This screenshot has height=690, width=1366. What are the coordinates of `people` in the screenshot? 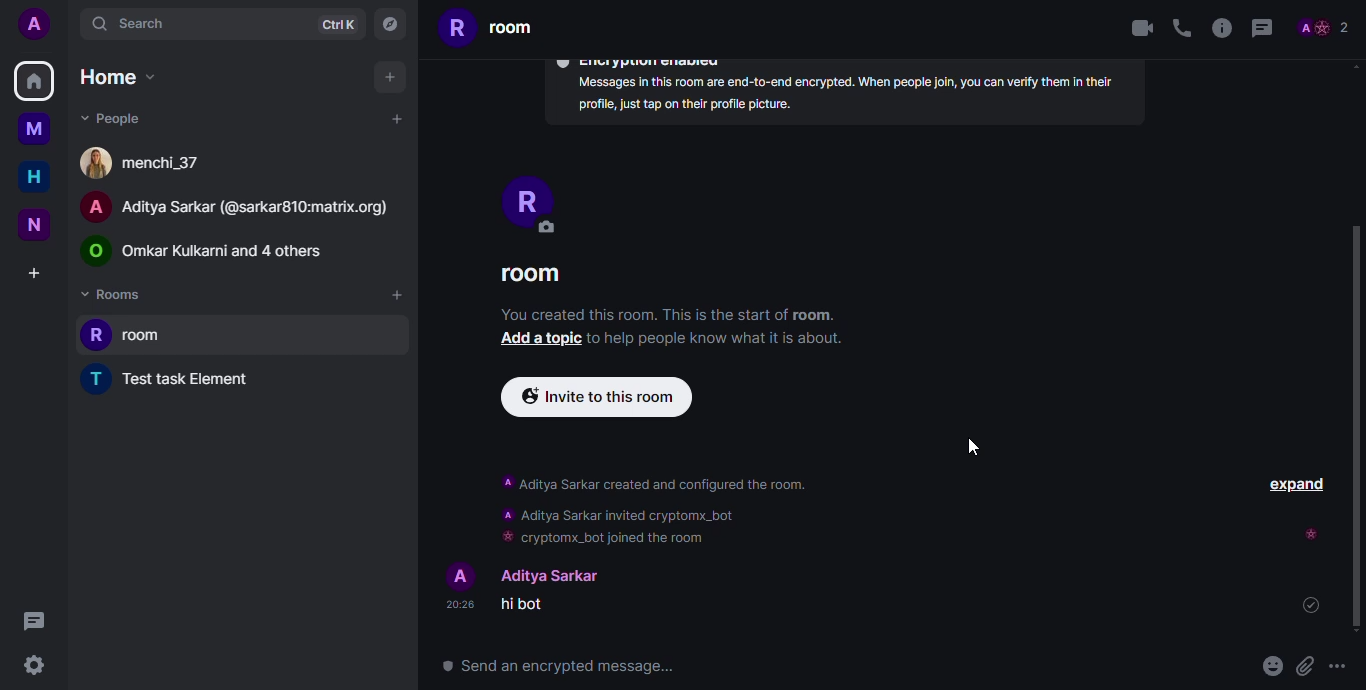 It's located at (122, 118).